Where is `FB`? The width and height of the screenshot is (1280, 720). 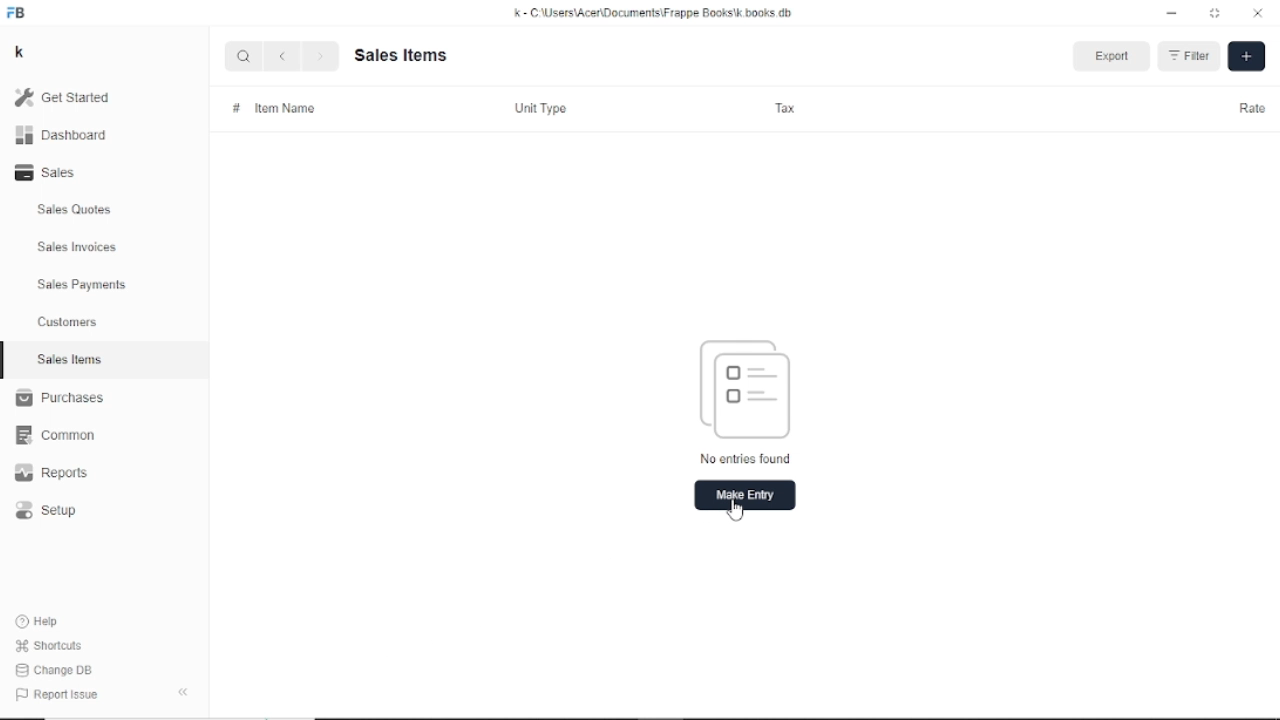
FB is located at coordinates (18, 14).